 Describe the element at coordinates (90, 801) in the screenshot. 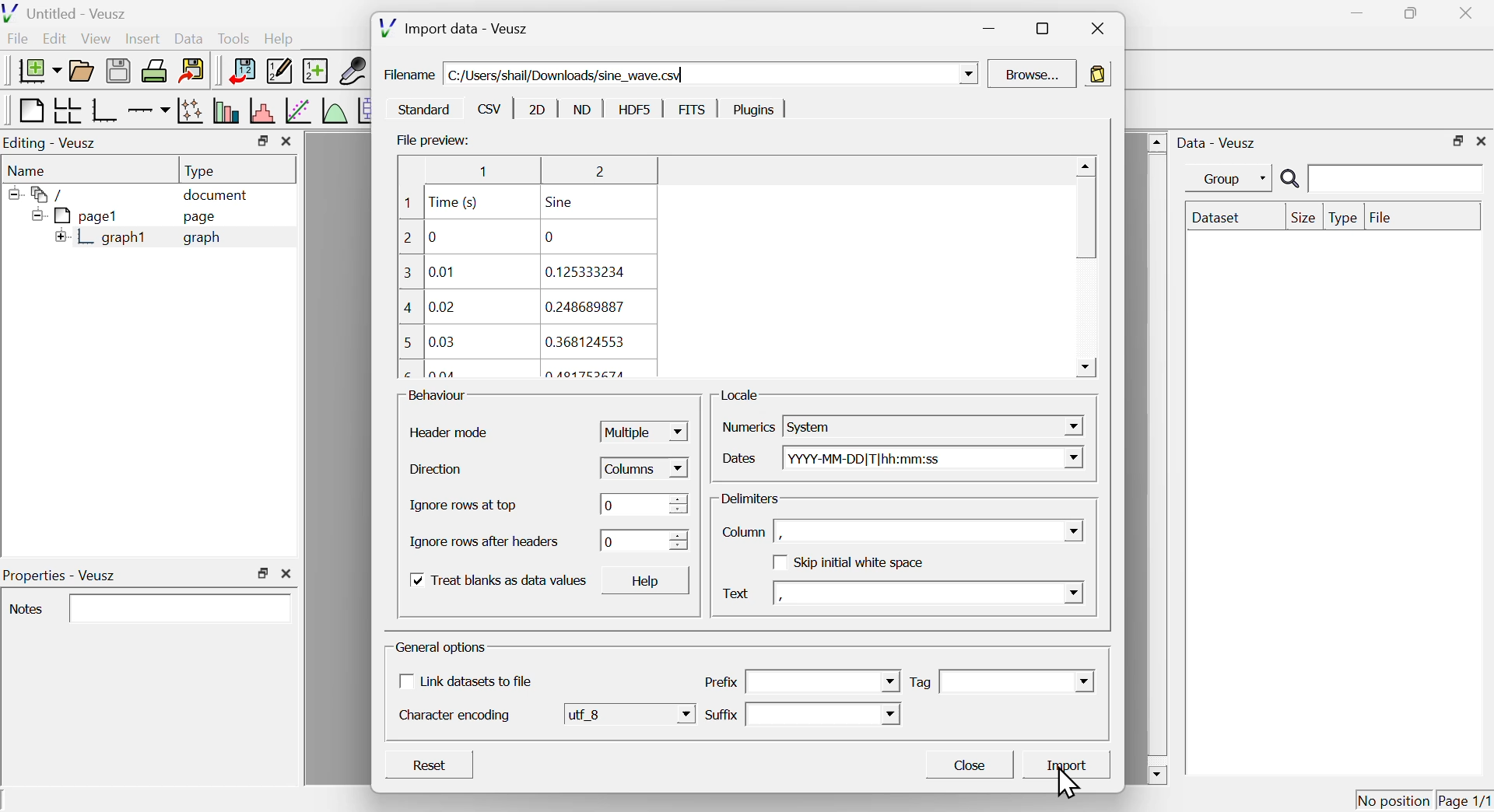

I see `import data into veusz` at that location.